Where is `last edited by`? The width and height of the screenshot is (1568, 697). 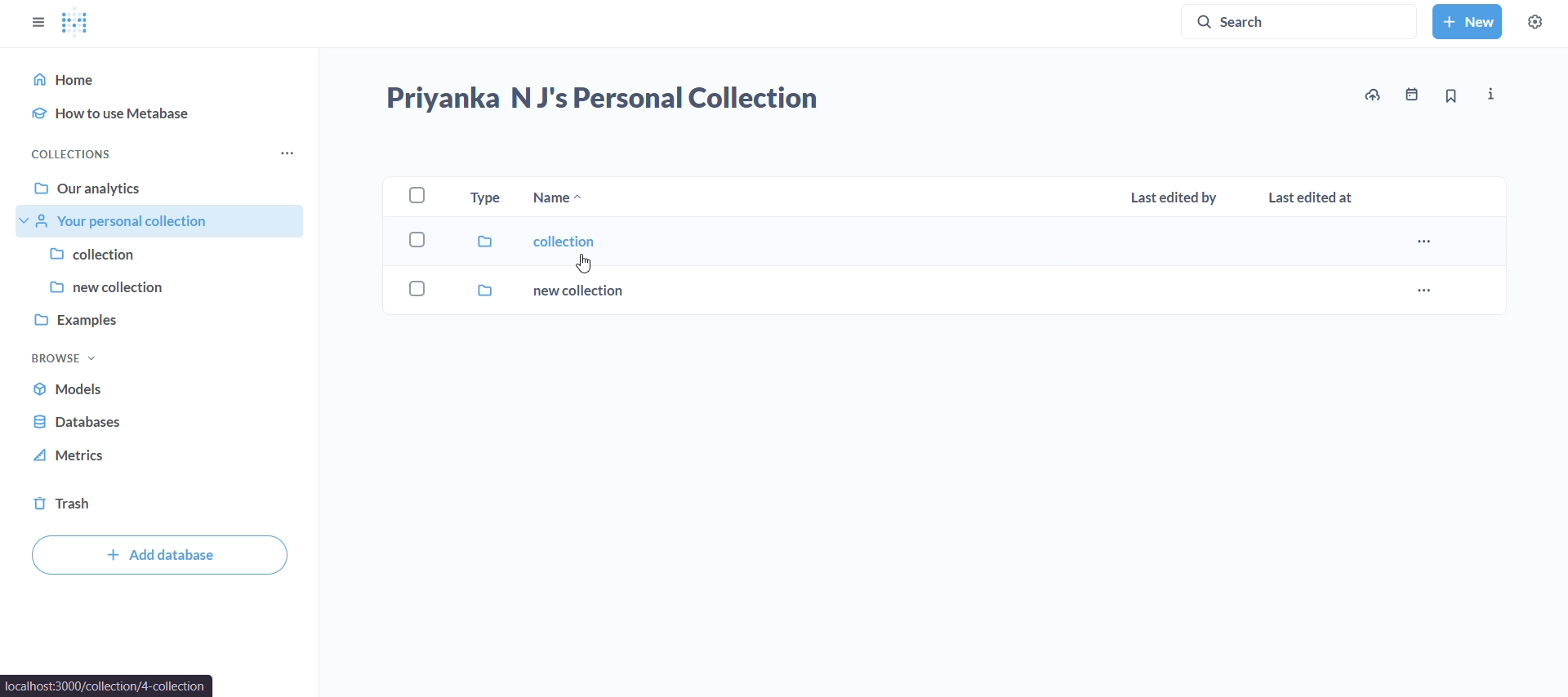 last edited by is located at coordinates (1174, 198).